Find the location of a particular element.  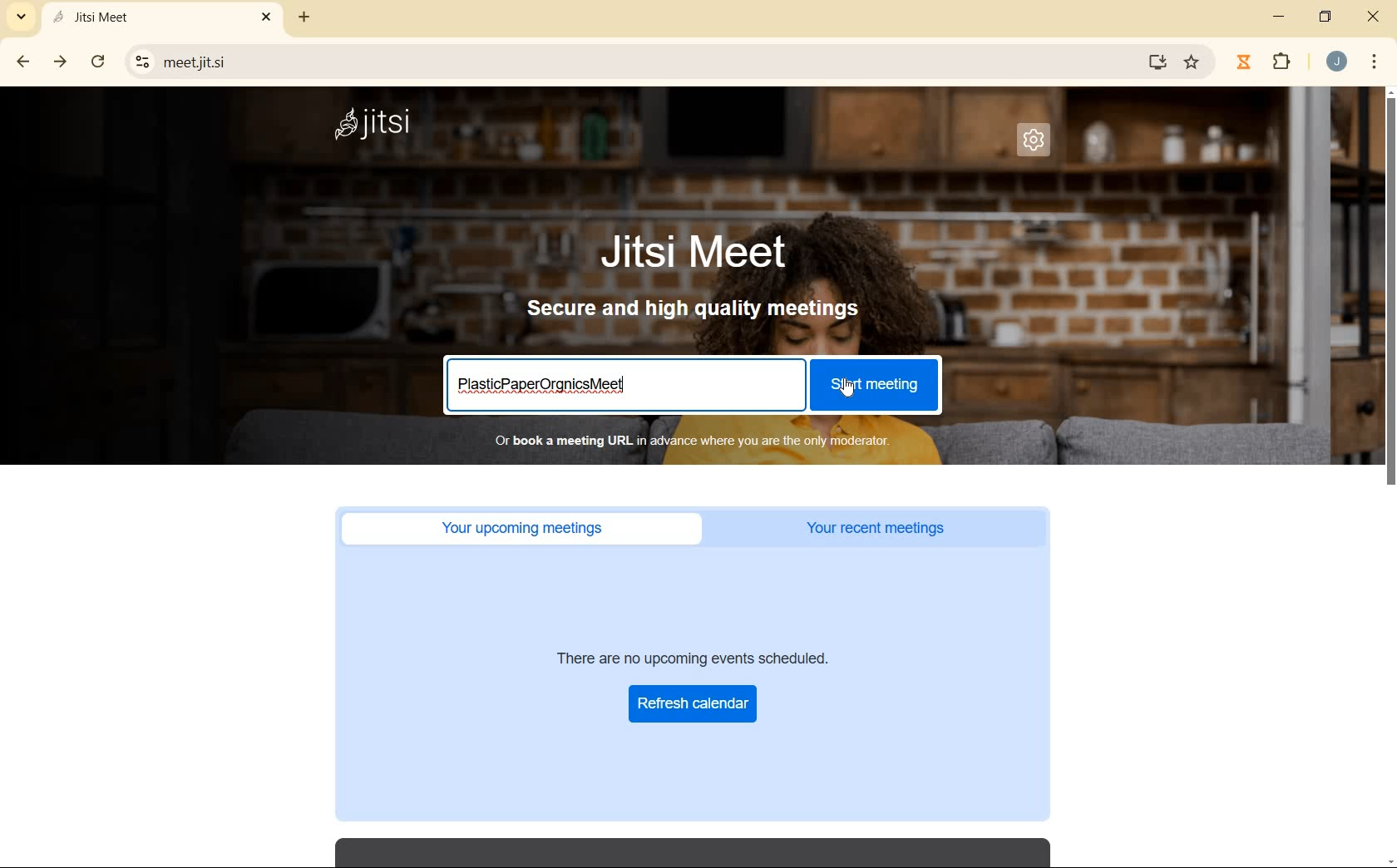

scrollbar is located at coordinates (1389, 477).